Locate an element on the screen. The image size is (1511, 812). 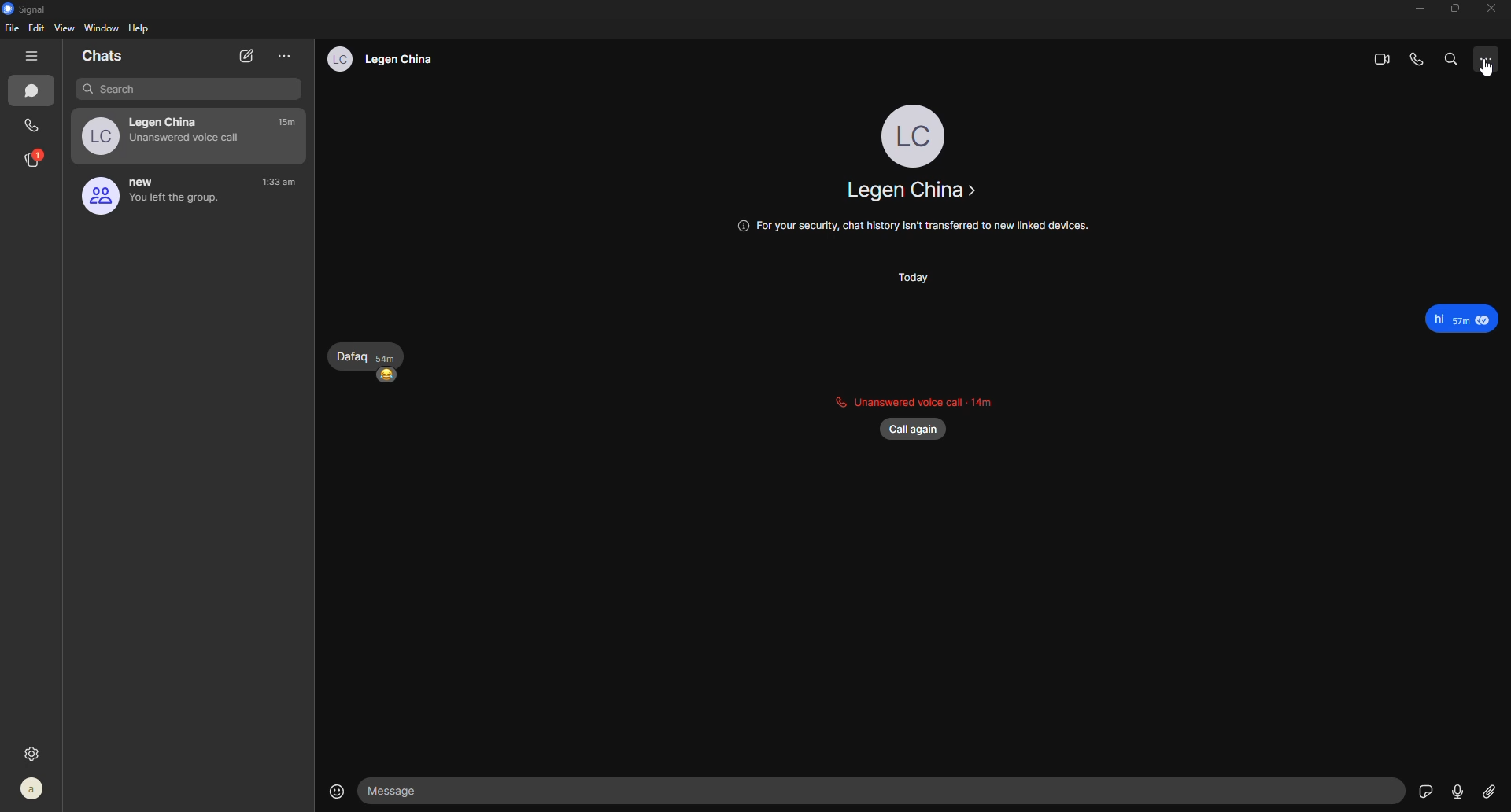
maximize is located at coordinates (1450, 9).